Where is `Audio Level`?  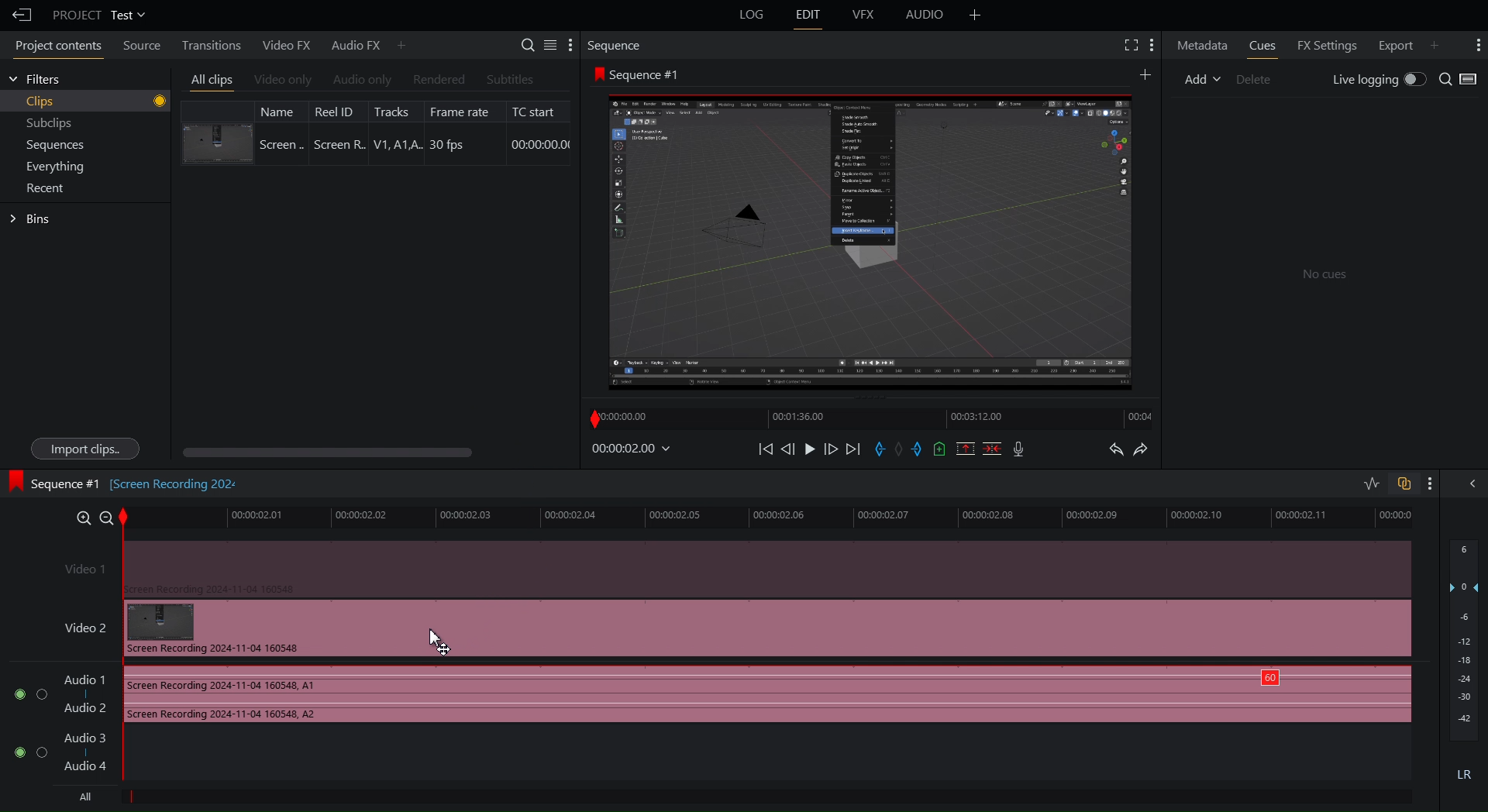
Audio Level is located at coordinates (1465, 664).